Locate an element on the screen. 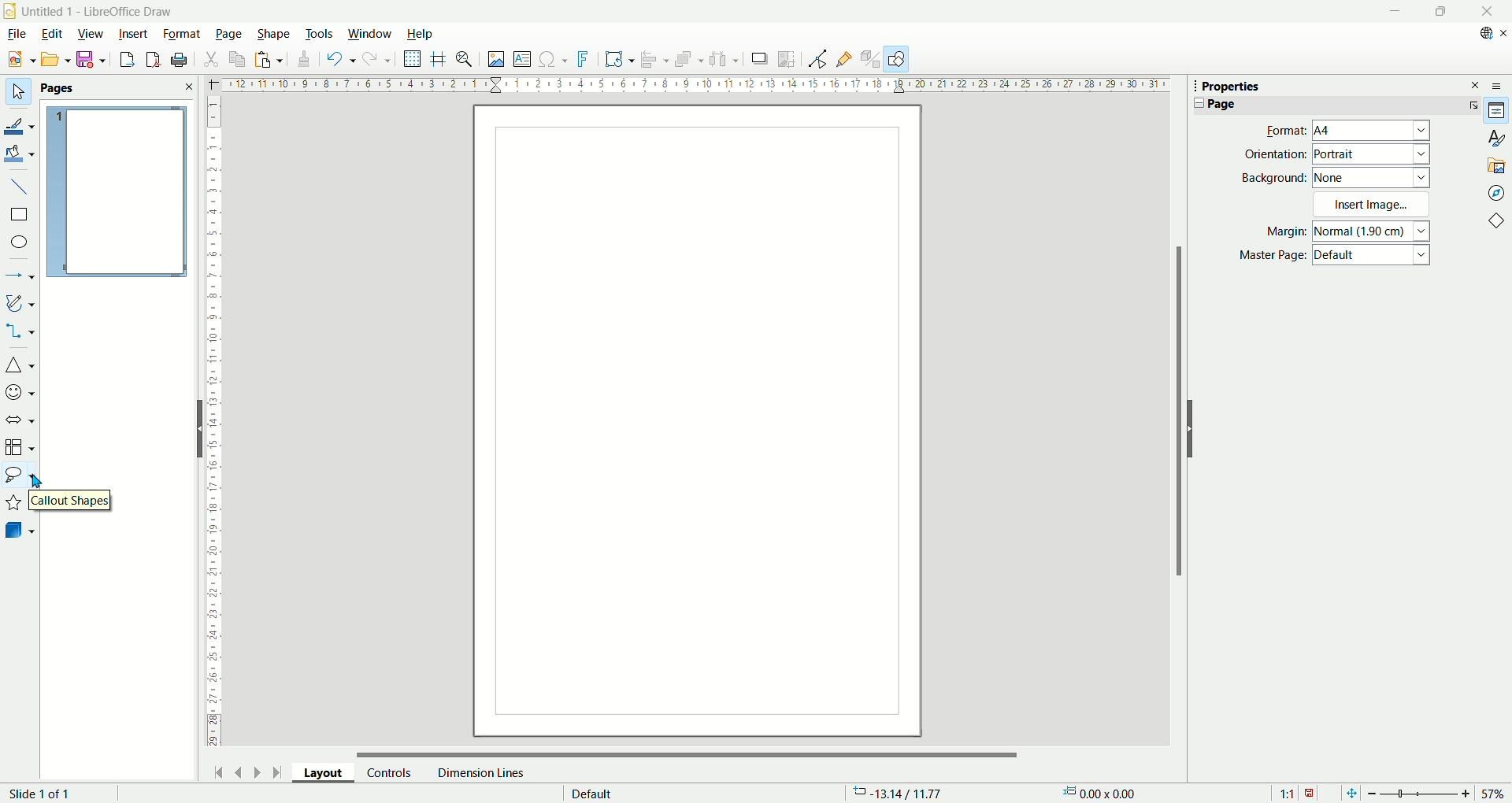 Image resolution: width=1512 pixels, height=803 pixels. insert textbox is located at coordinates (524, 60).